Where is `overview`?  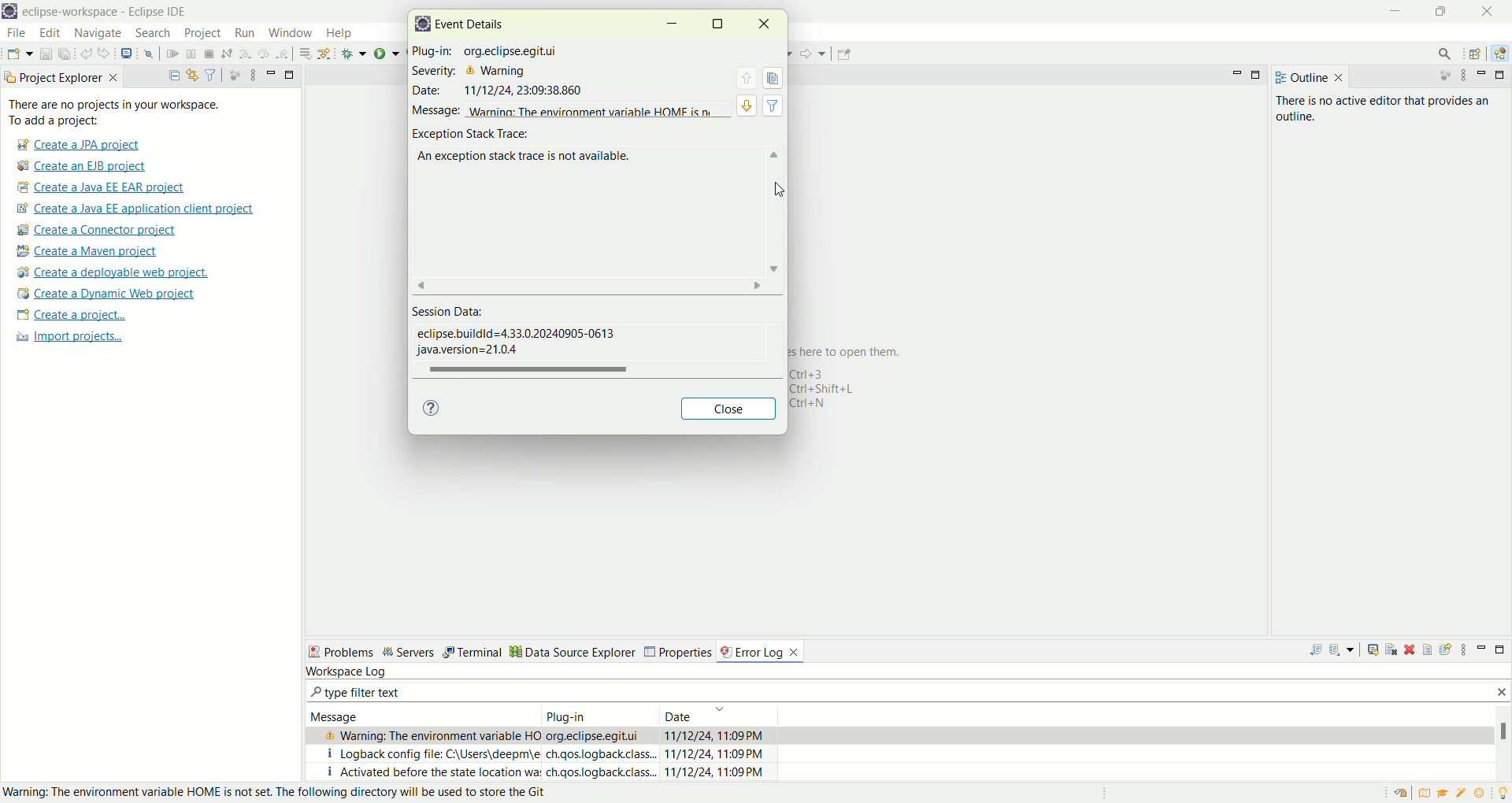 overview is located at coordinates (1422, 794).